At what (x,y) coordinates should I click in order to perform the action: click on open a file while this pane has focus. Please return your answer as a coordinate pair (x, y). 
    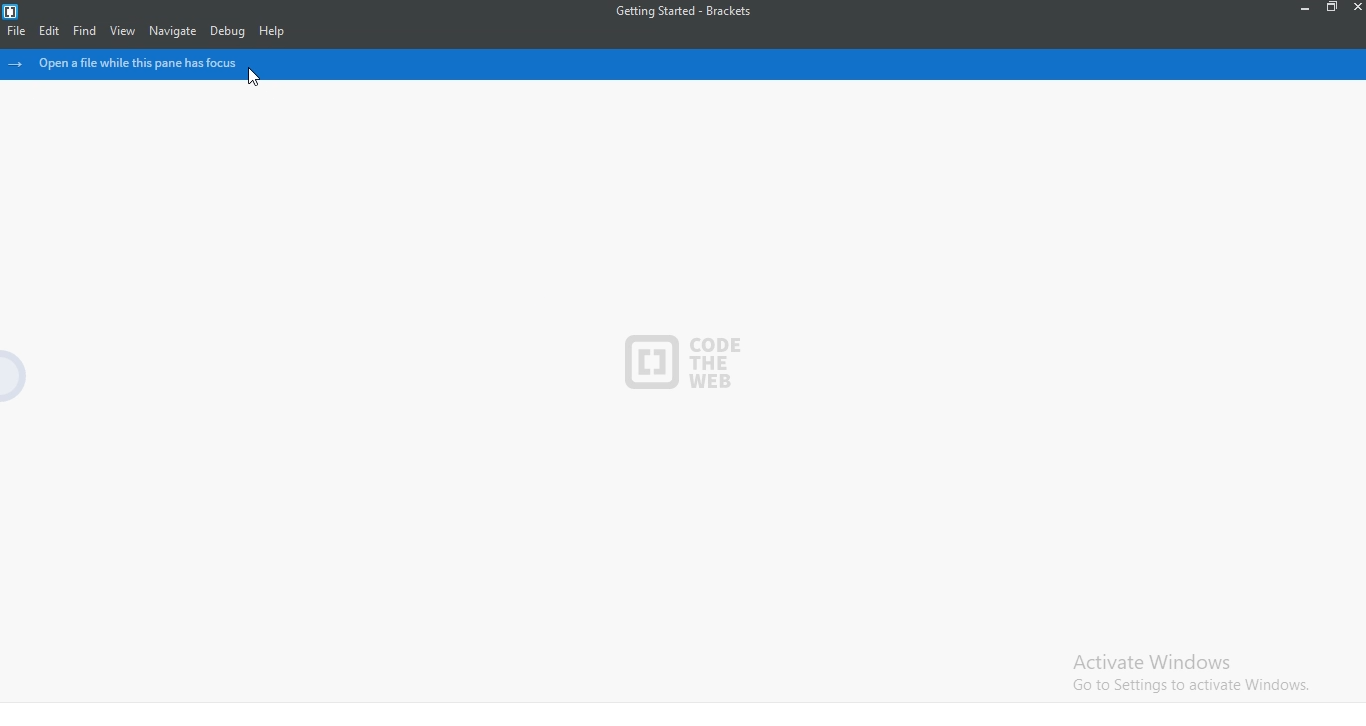
    Looking at the image, I should click on (702, 64).